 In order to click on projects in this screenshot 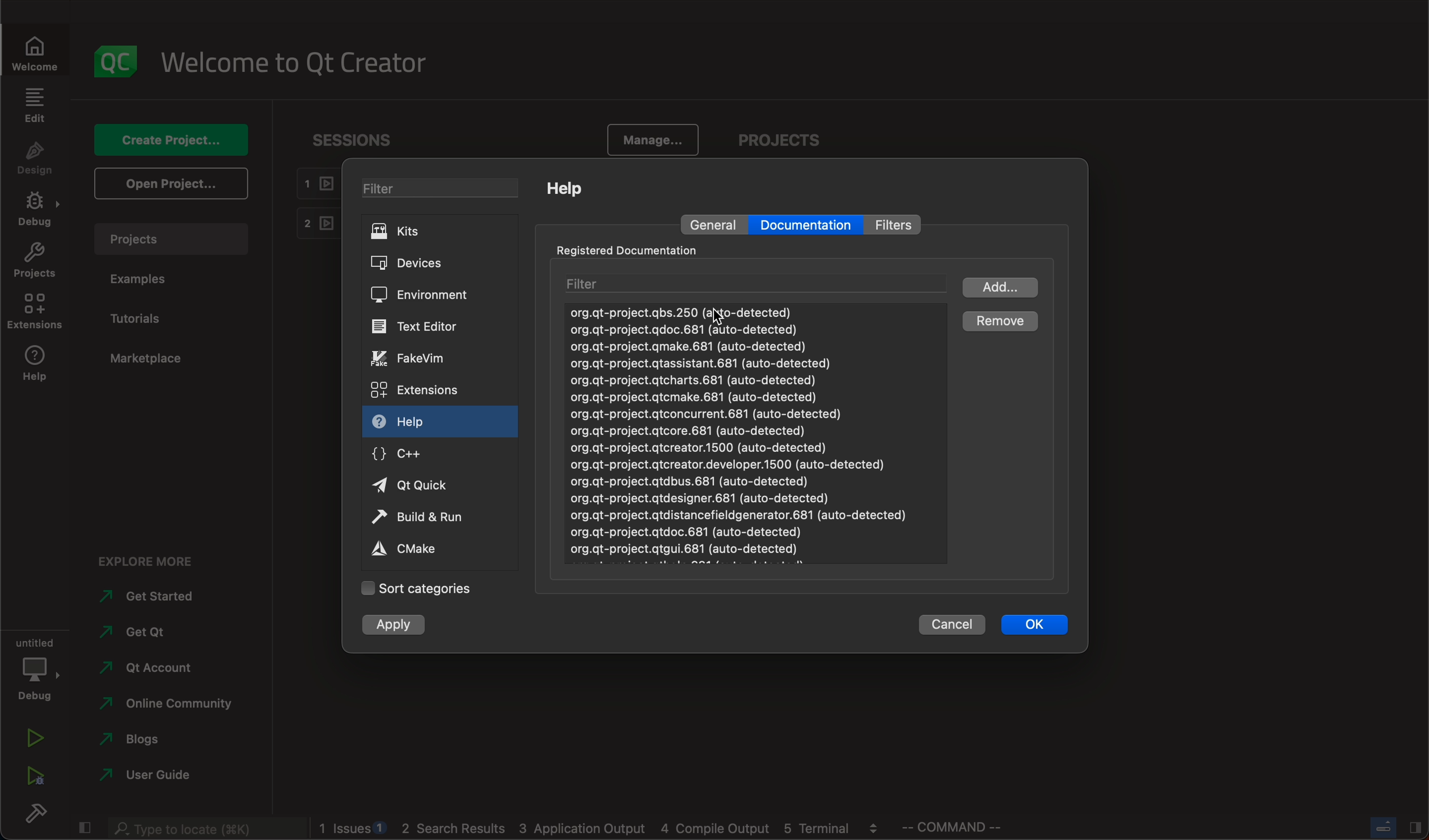, I will do `click(171, 242)`.